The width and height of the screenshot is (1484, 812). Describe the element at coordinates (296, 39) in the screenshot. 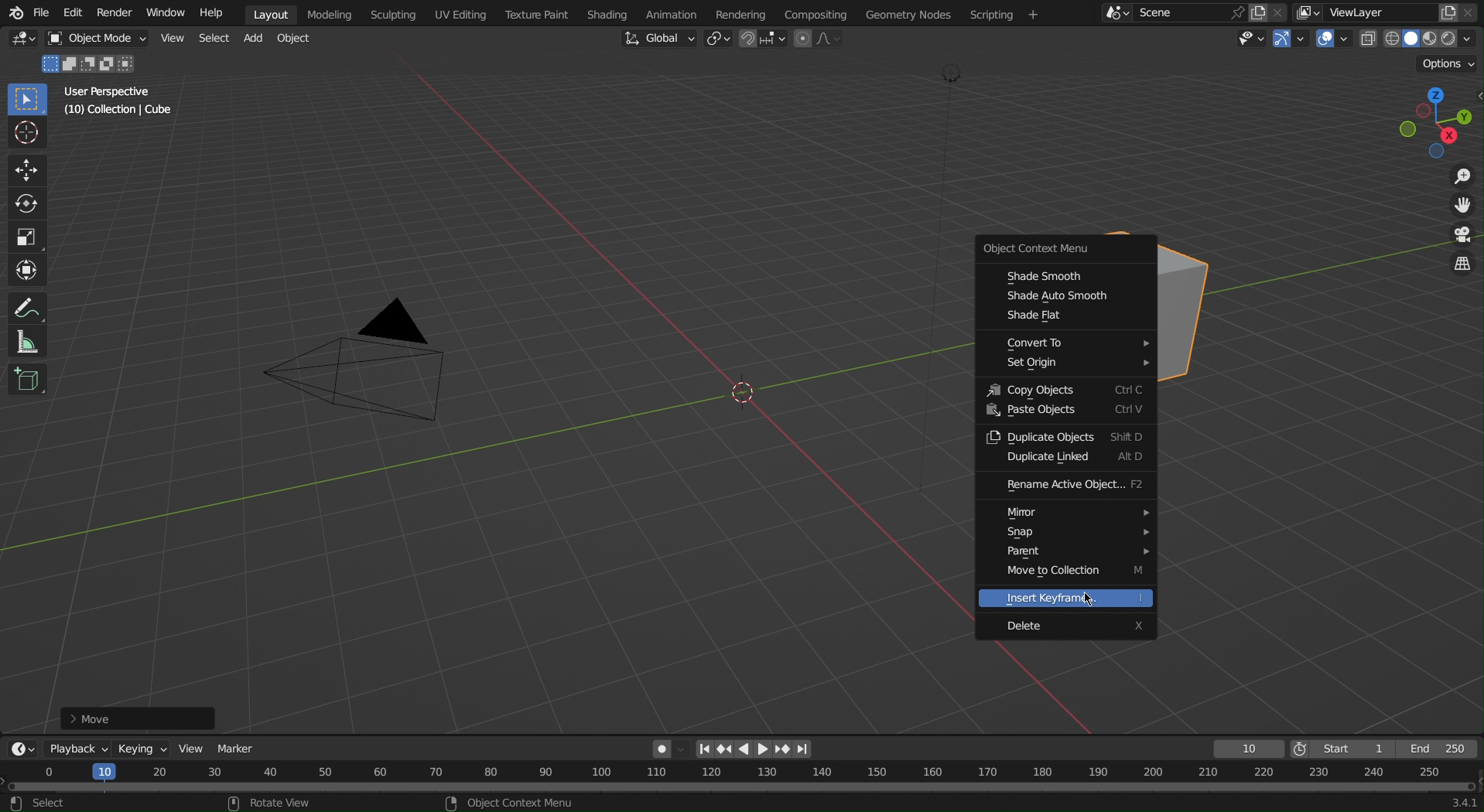

I see `Object` at that location.